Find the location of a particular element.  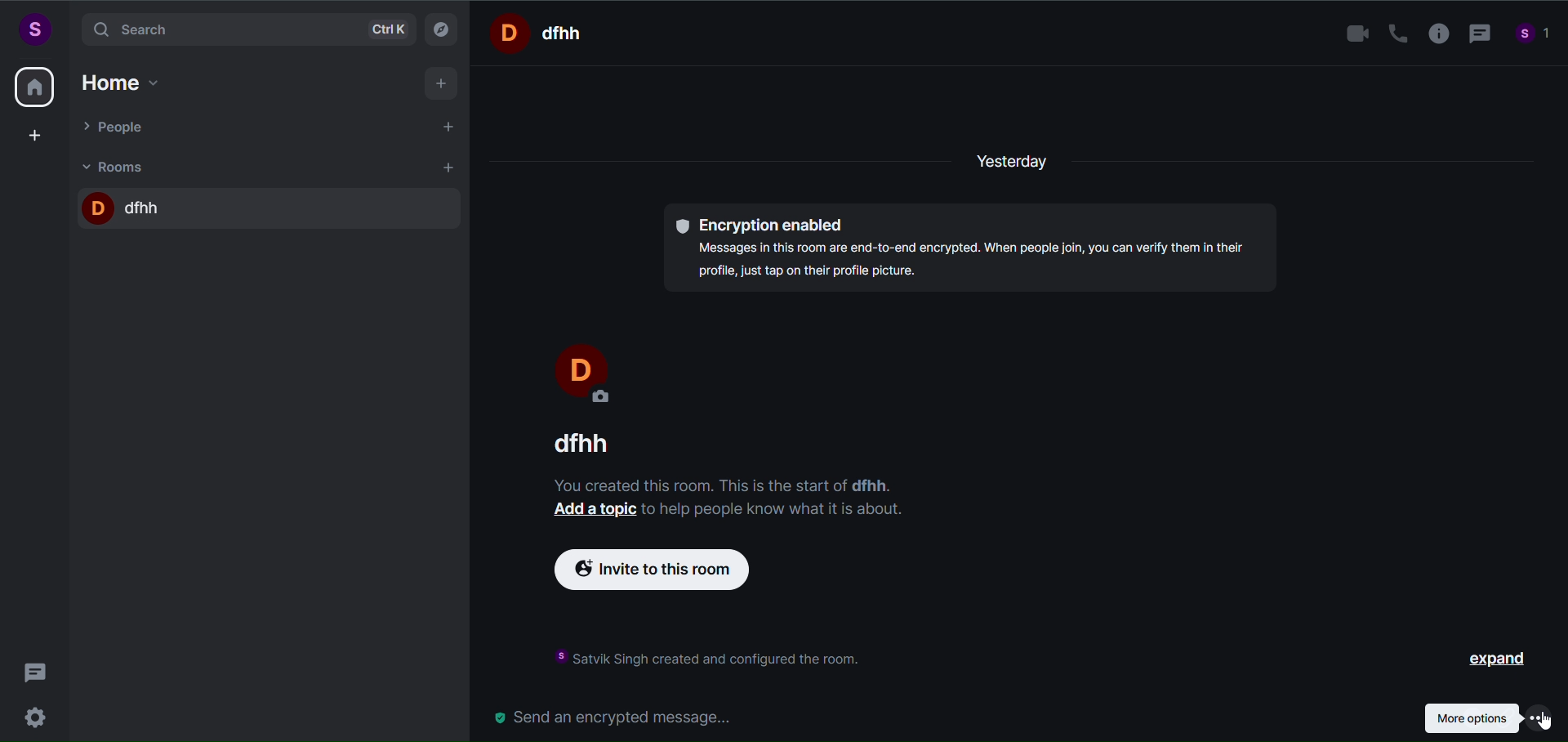

text is located at coordinates (774, 511).